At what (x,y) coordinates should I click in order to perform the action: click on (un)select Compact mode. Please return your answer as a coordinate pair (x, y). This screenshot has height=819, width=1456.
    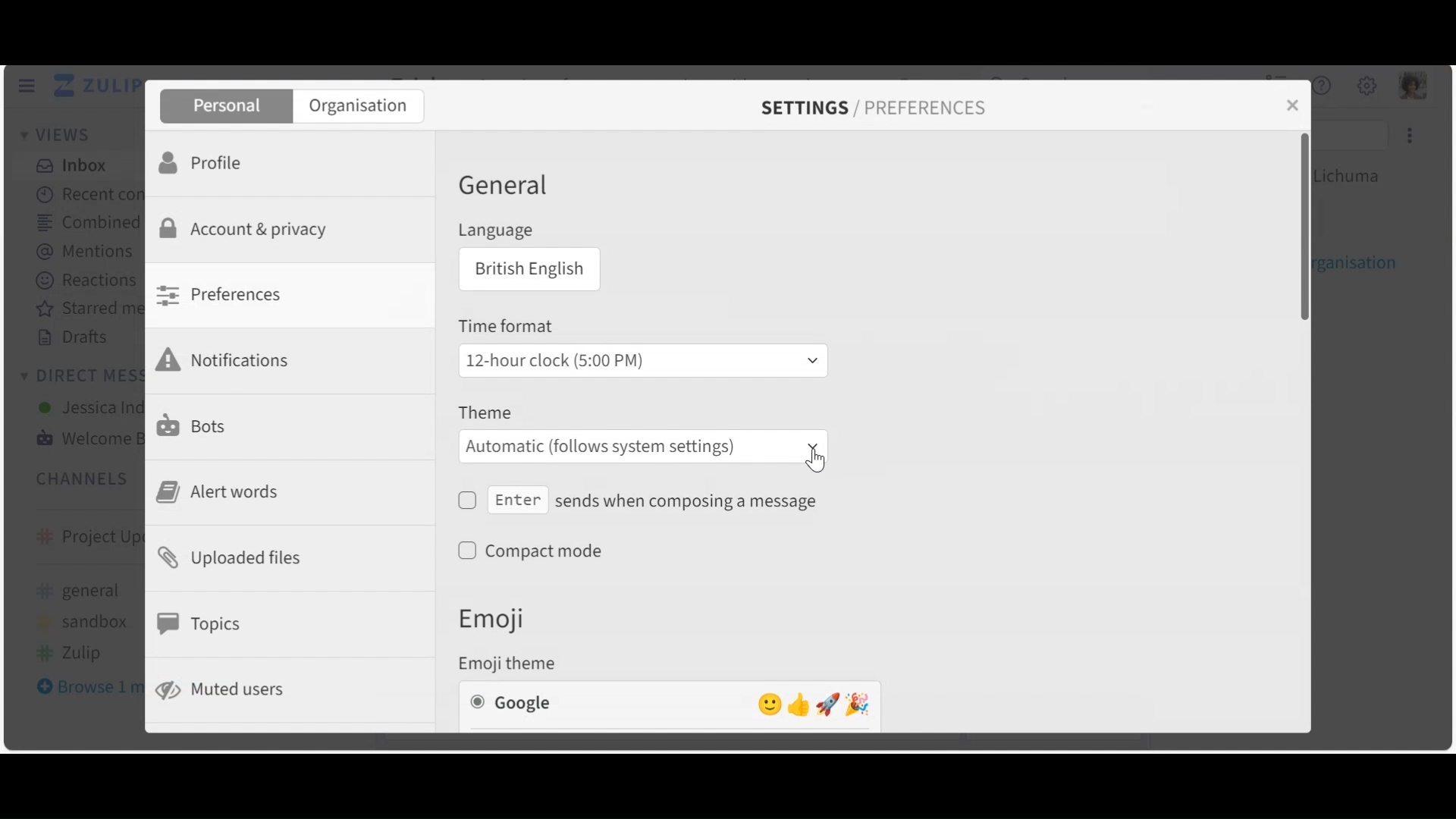
    Looking at the image, I should click on (540, 551).